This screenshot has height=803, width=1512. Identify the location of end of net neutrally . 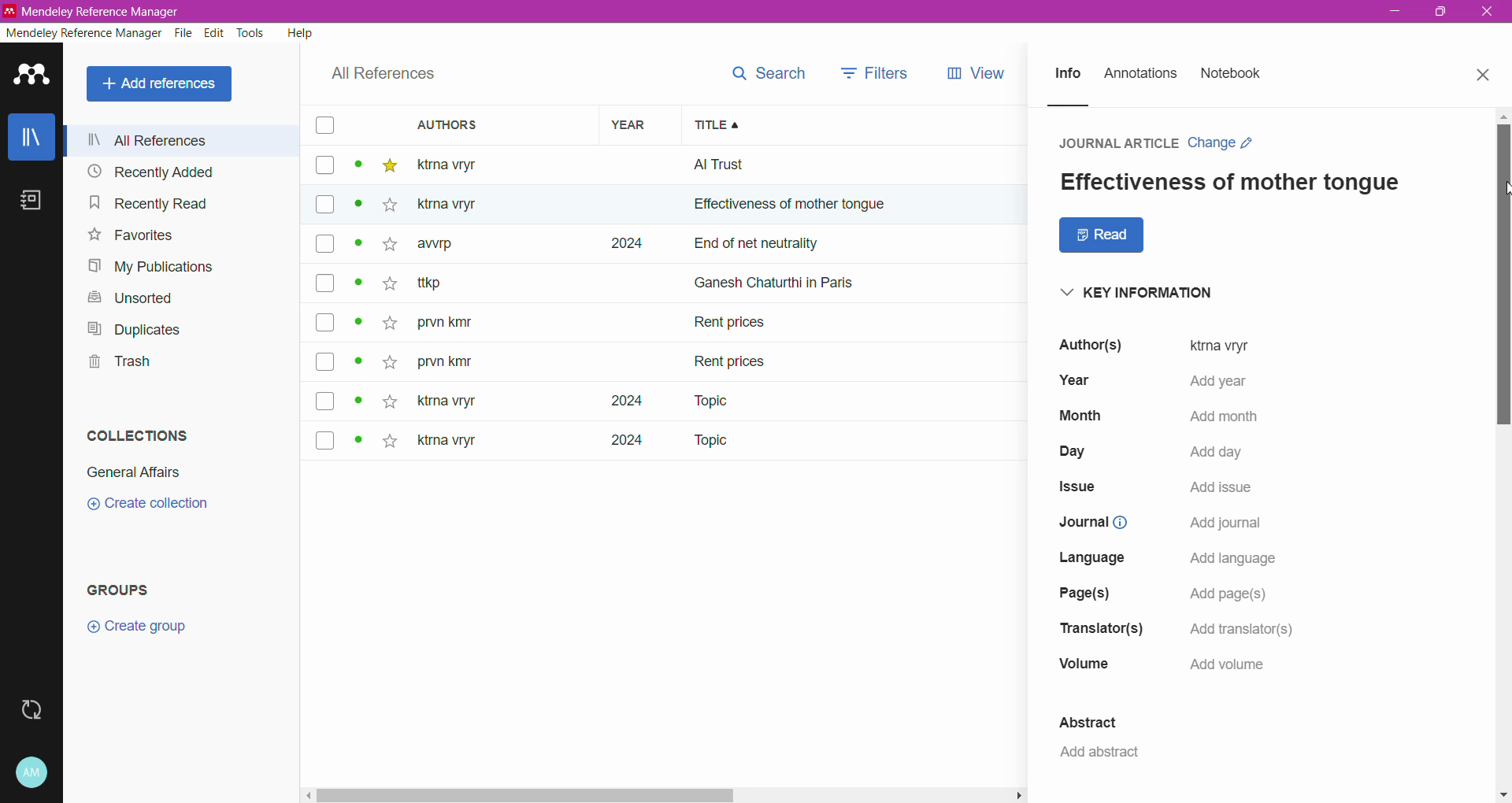
(862, 246).